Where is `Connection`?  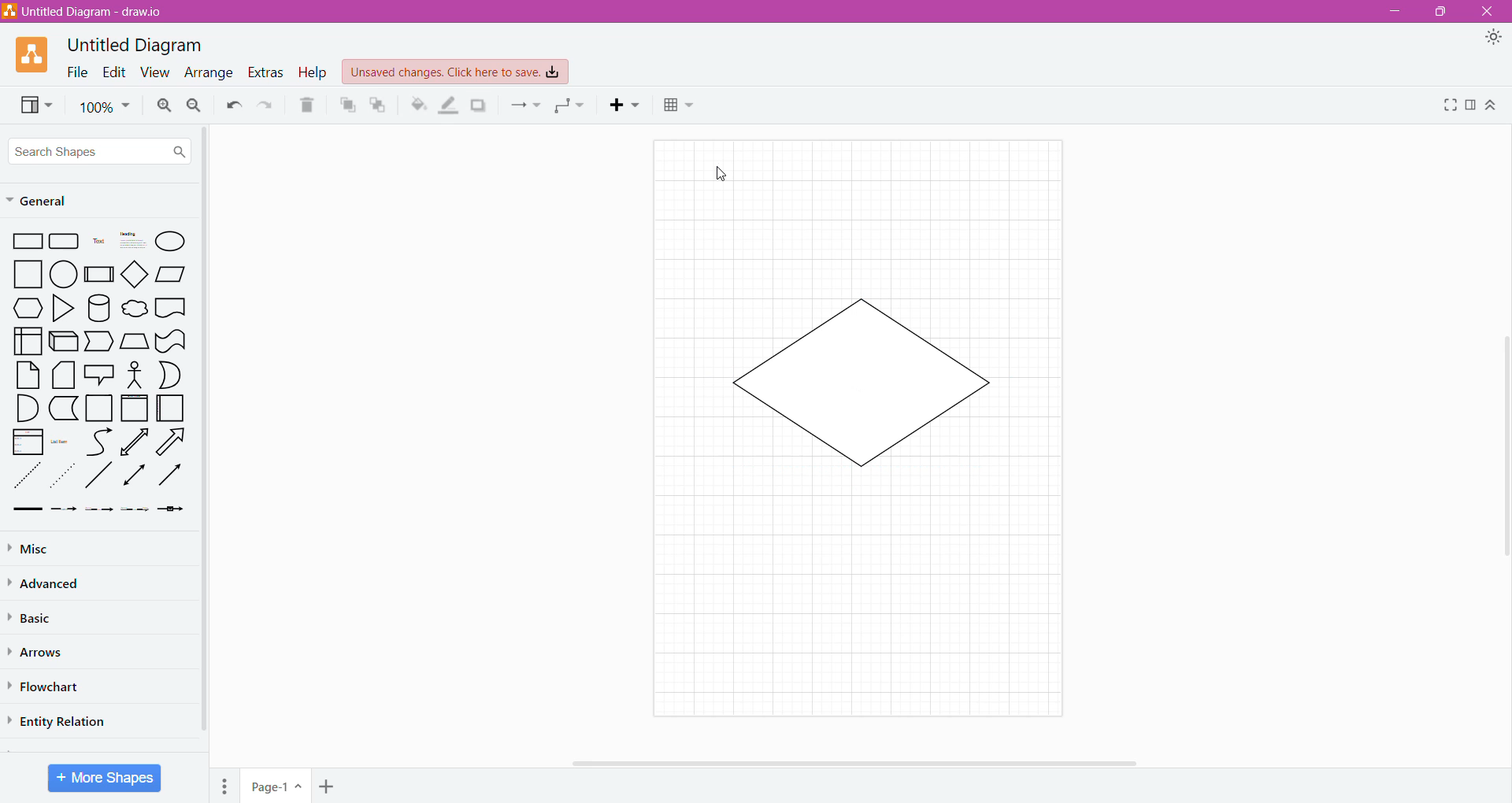 Connection is located at coordinates (525, 105).